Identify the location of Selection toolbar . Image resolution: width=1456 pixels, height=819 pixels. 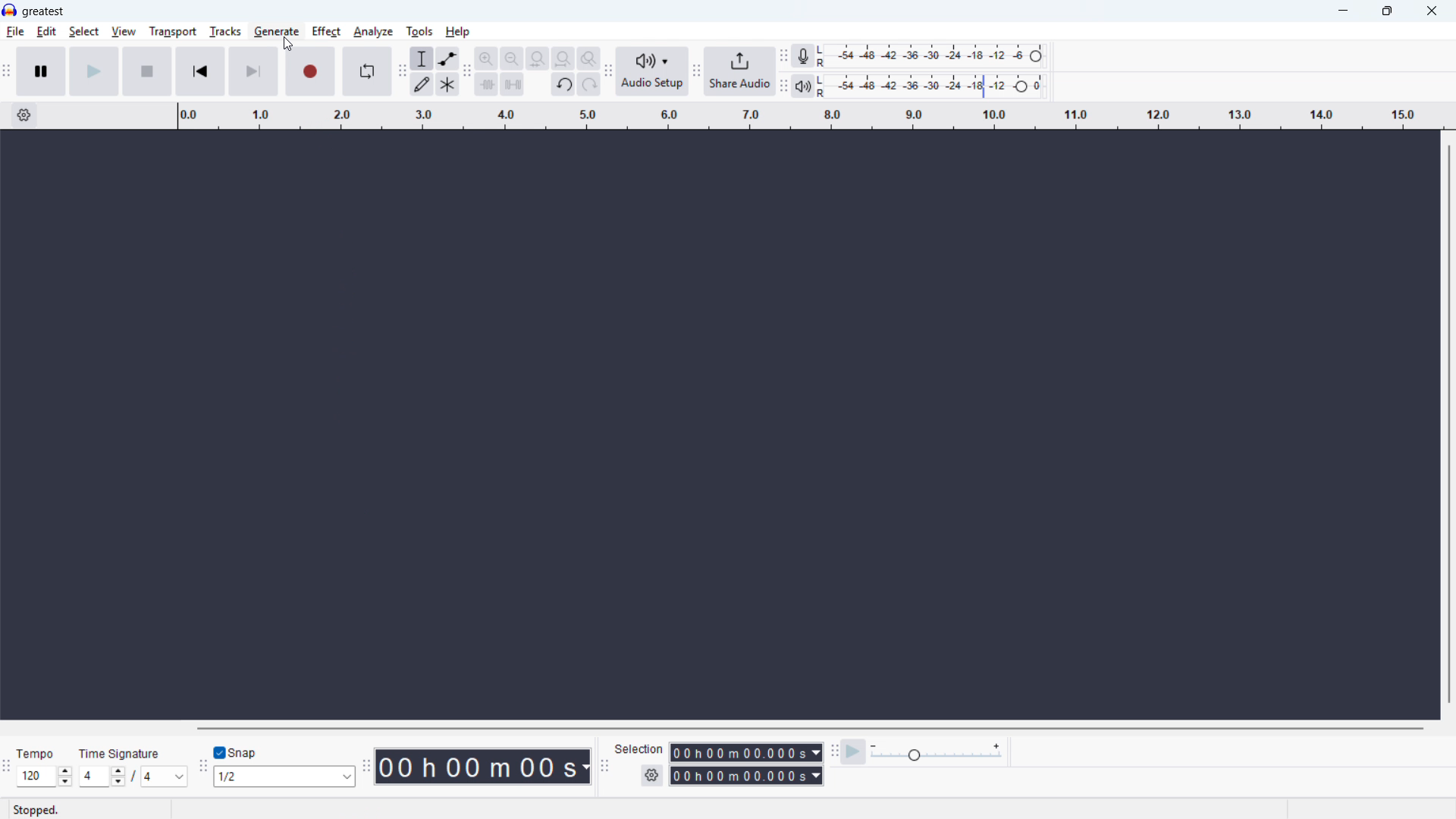
(605, 767).